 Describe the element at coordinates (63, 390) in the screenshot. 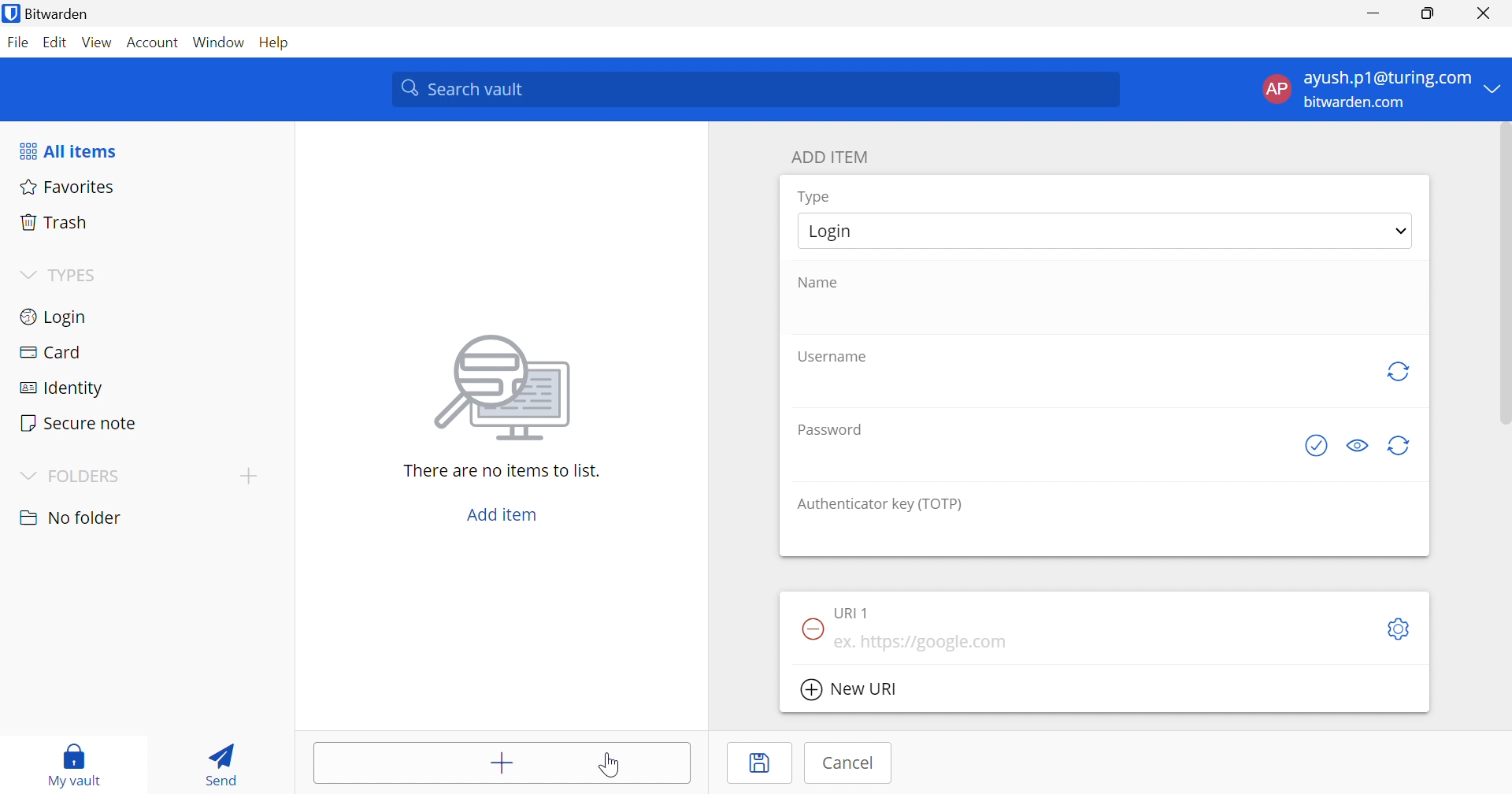

I see `Identity` at that location.